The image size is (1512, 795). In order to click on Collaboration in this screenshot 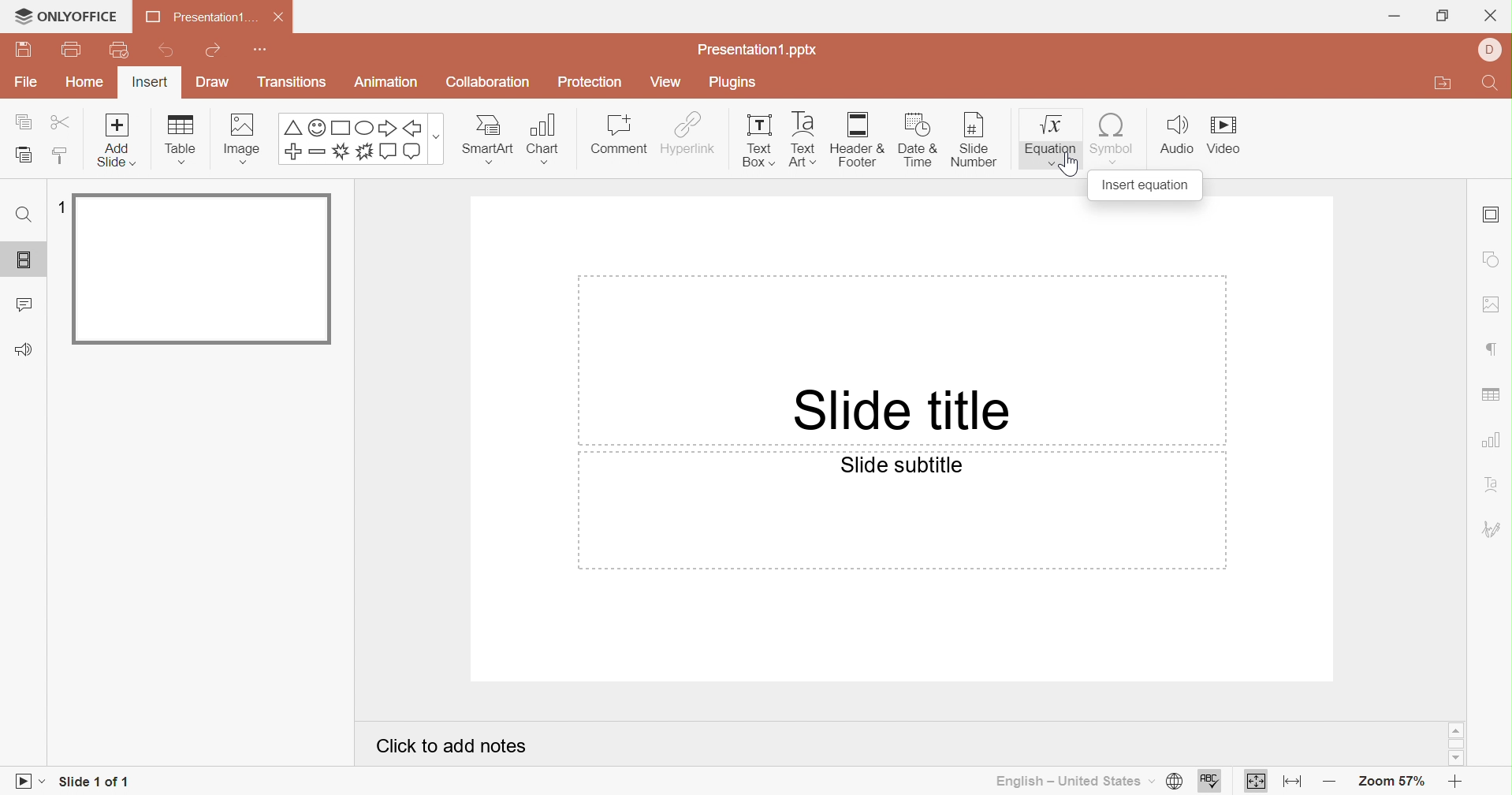, I will do `click(488, 82)`.